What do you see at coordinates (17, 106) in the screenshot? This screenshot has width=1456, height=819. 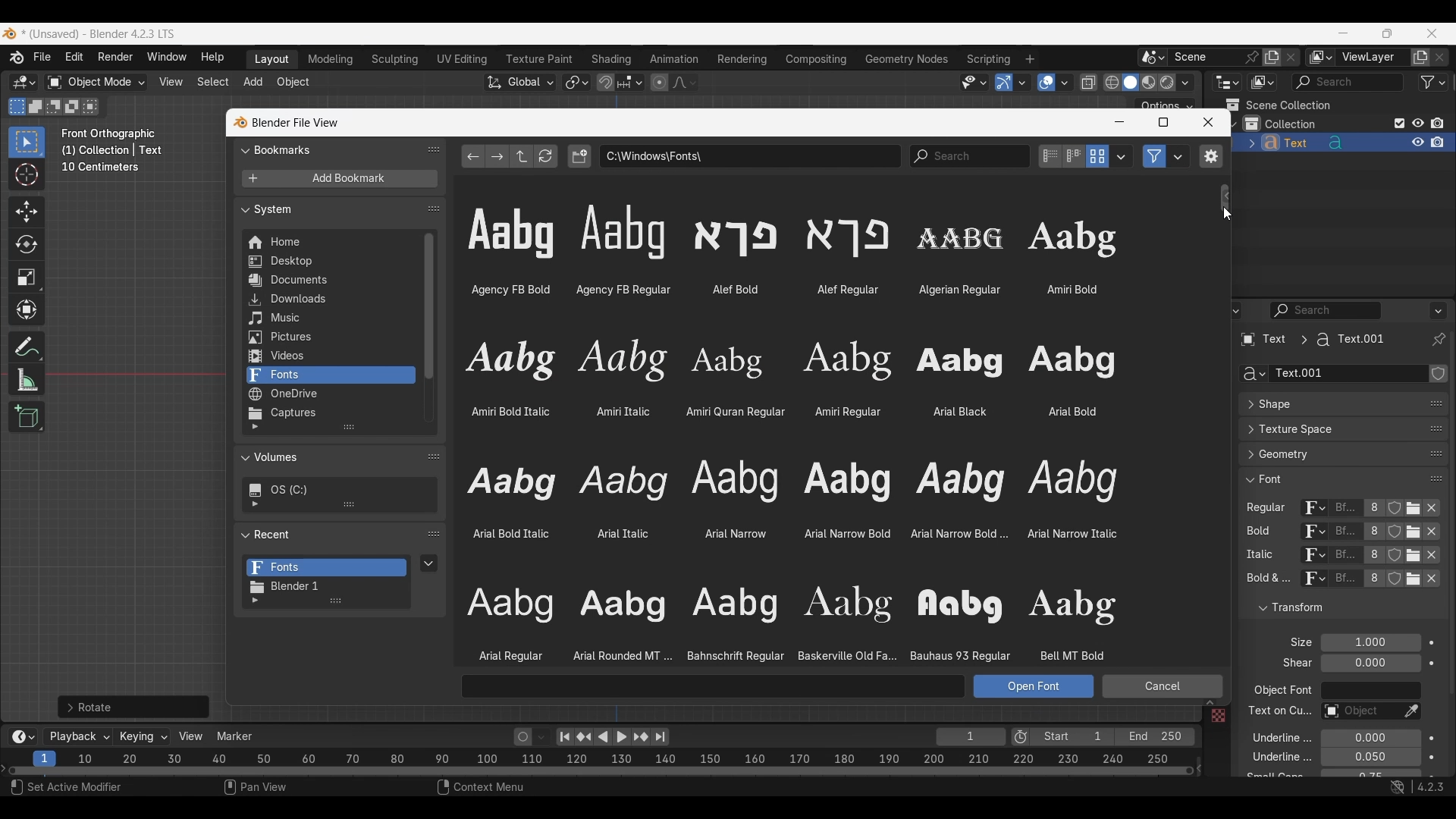 I see `Set a new selection` at bounding box center [17, 106].